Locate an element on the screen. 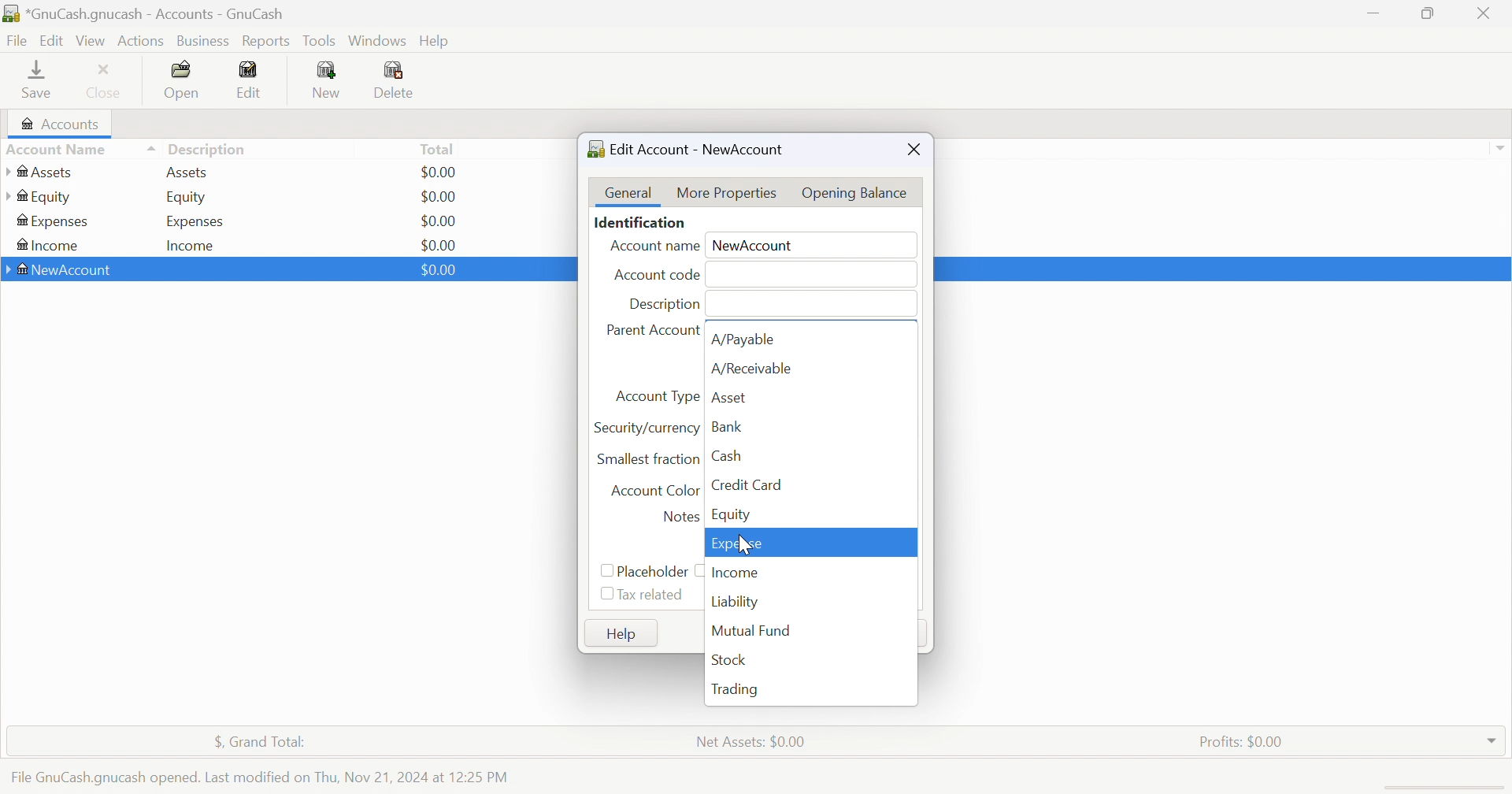 The width and height of the screenshot is (1512, 794). Actions is located at coordinates (141, 41).